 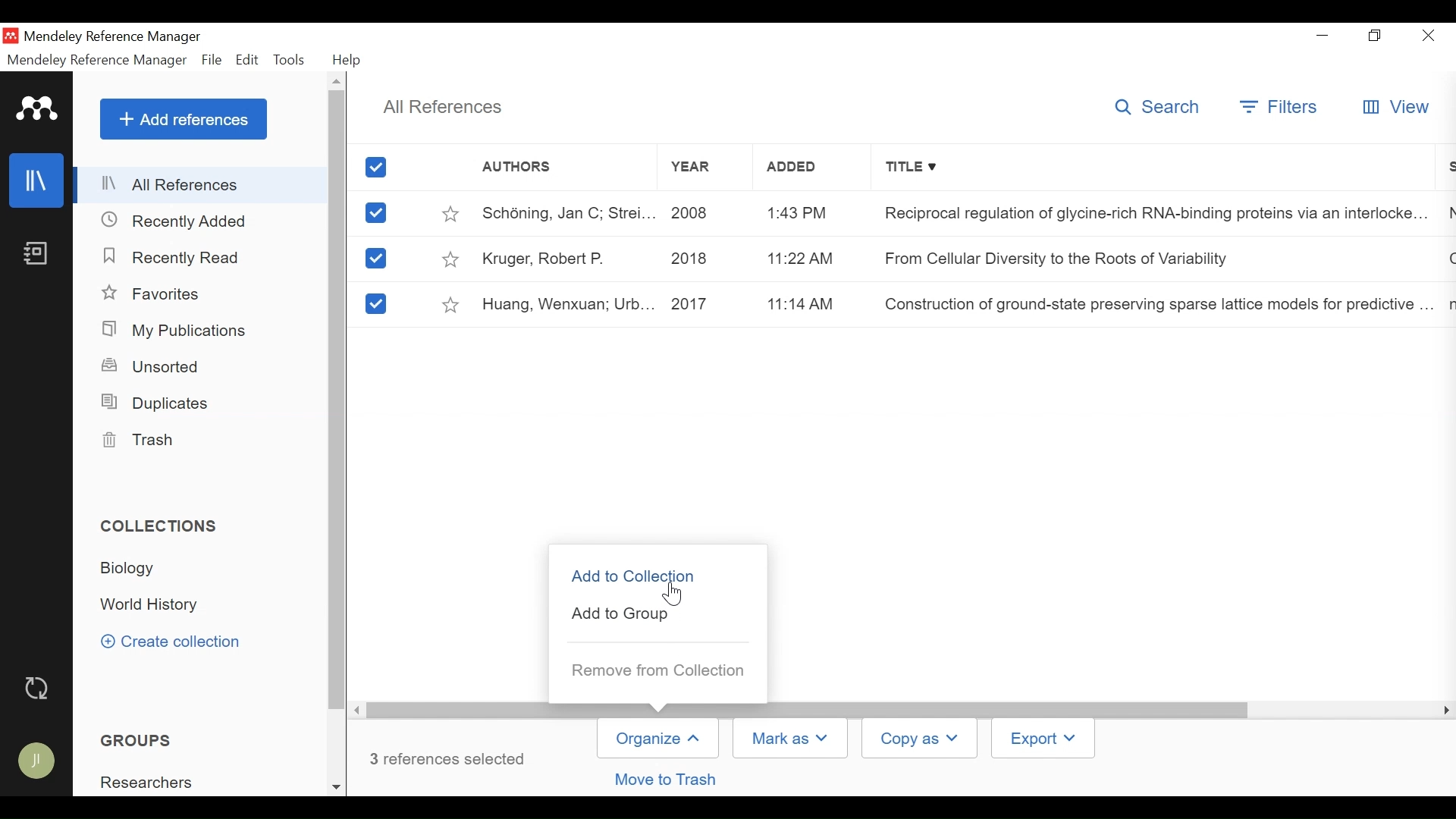 What do you see at coordinates (1394, 108) in the screenshot?
I see `View` at bounding box center [1394, 108].